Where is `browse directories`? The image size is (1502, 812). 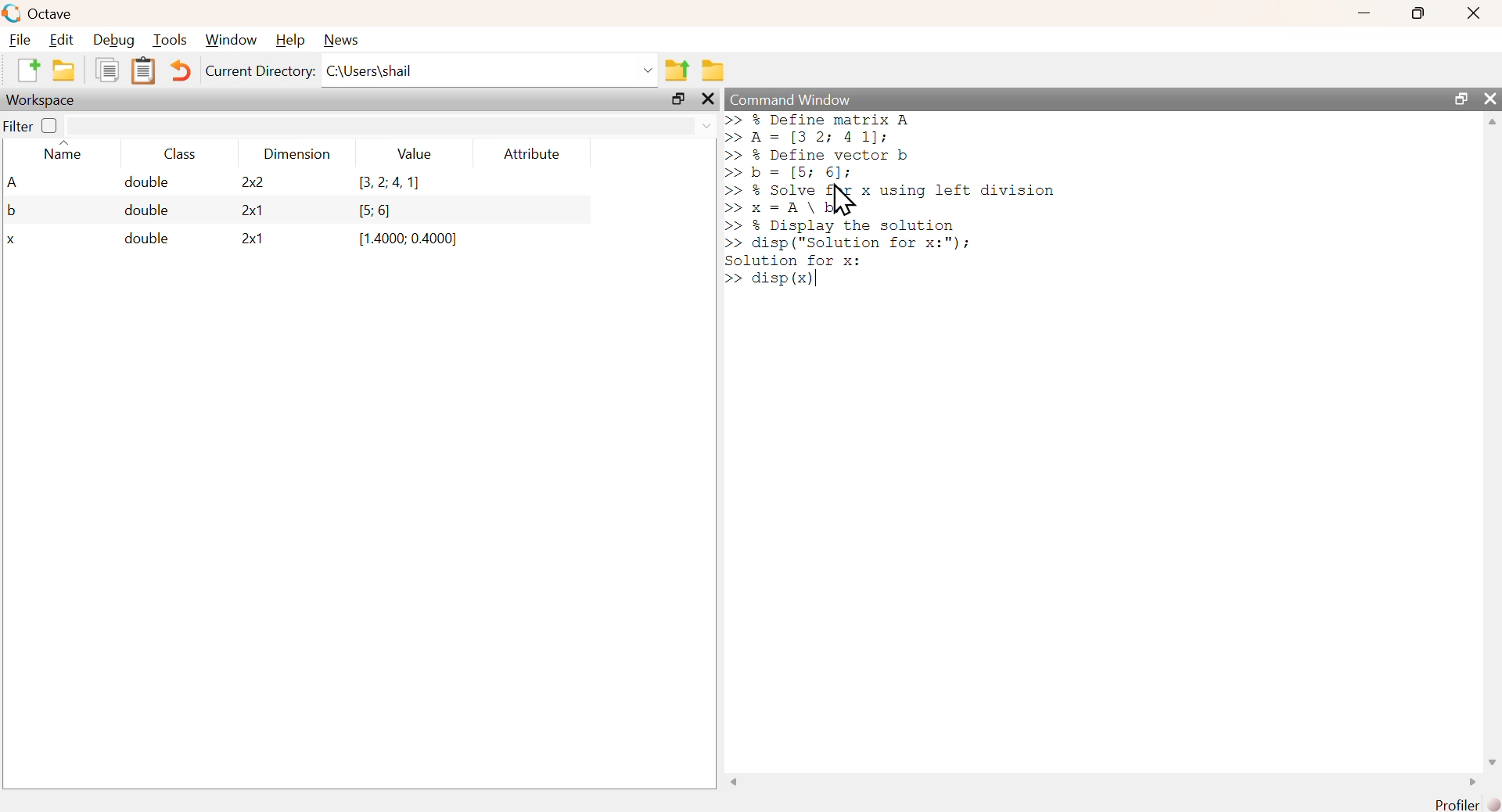
browse directories is located at coordinates (714, 70).